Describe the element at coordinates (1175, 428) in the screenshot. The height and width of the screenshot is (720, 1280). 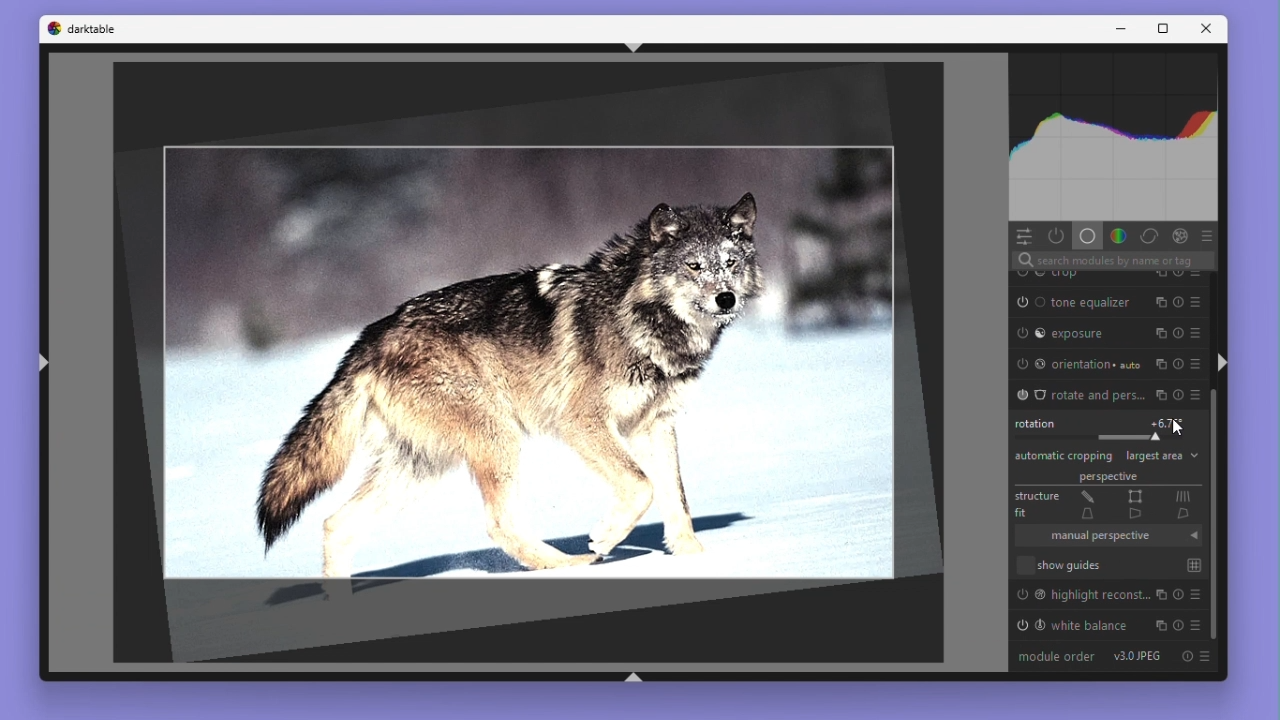
I see `Cursor` at that location.